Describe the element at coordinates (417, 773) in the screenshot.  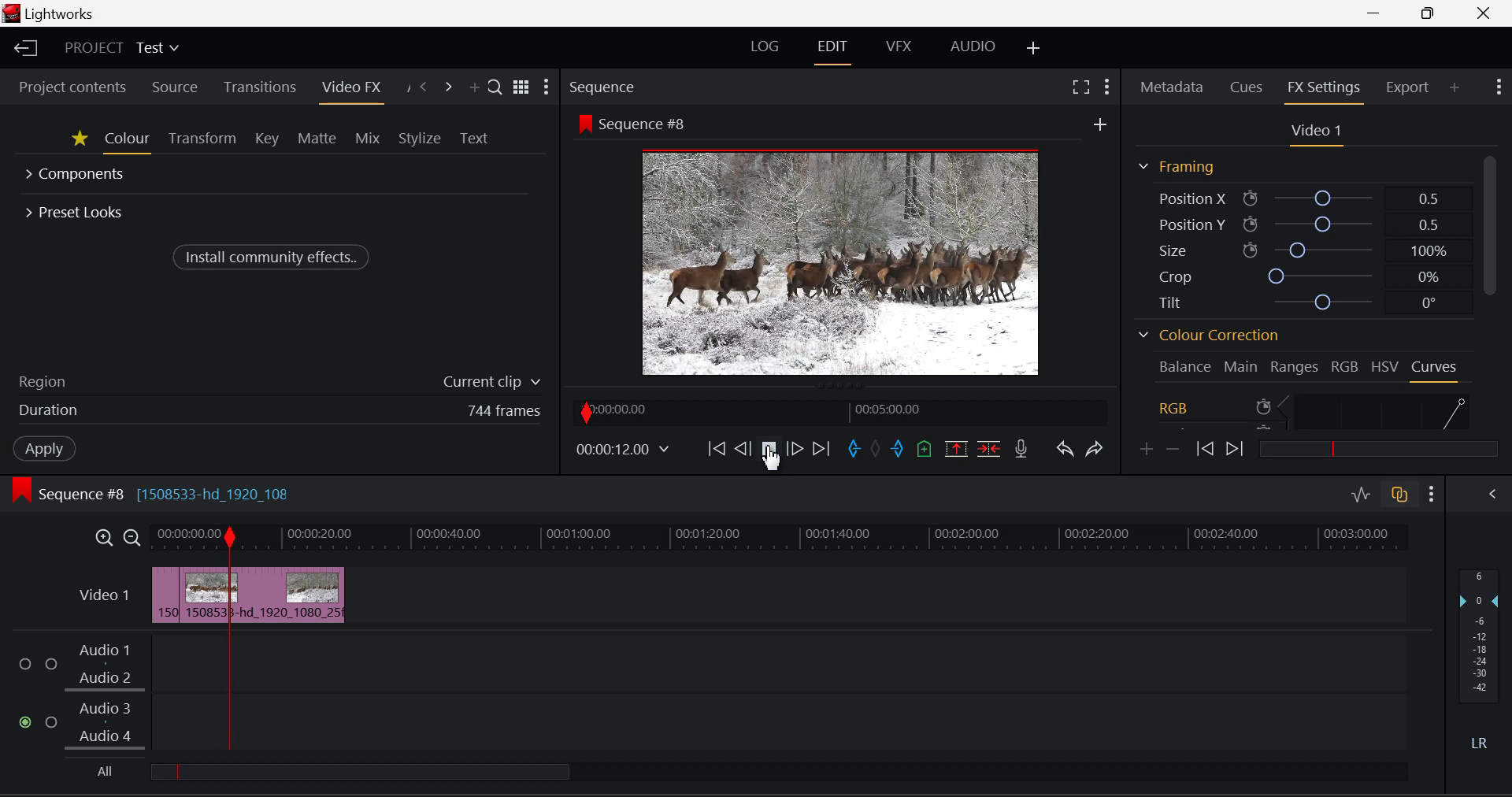
I see `all` at that location.